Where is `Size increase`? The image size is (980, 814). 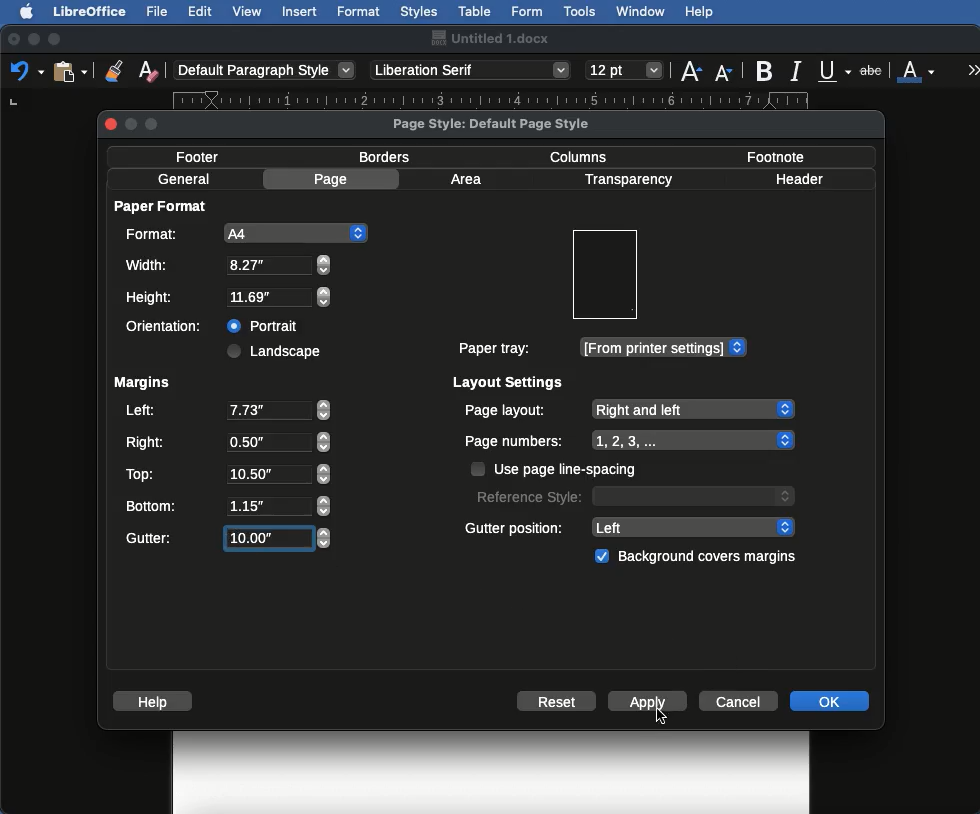
Size increase is located at coordinates (690, 69).